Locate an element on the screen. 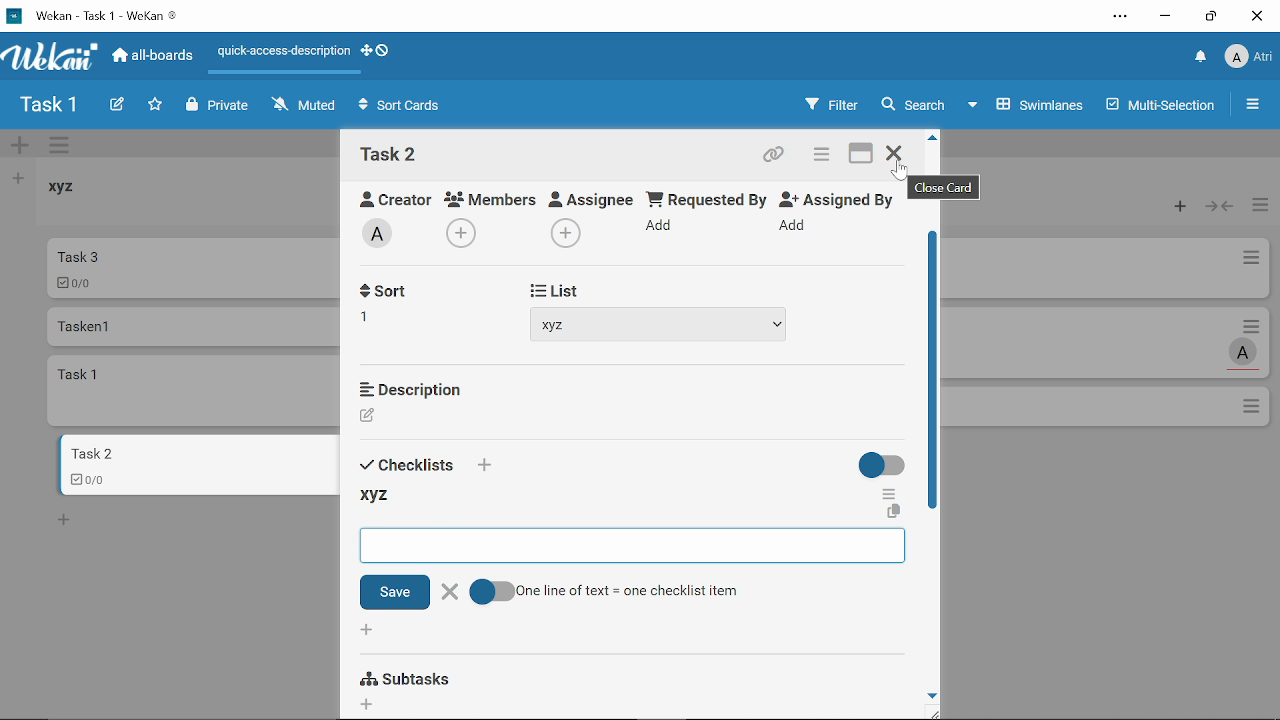 The height and width of the screenshot is (720, 1280). Creator is located at coordinates (388, 196).